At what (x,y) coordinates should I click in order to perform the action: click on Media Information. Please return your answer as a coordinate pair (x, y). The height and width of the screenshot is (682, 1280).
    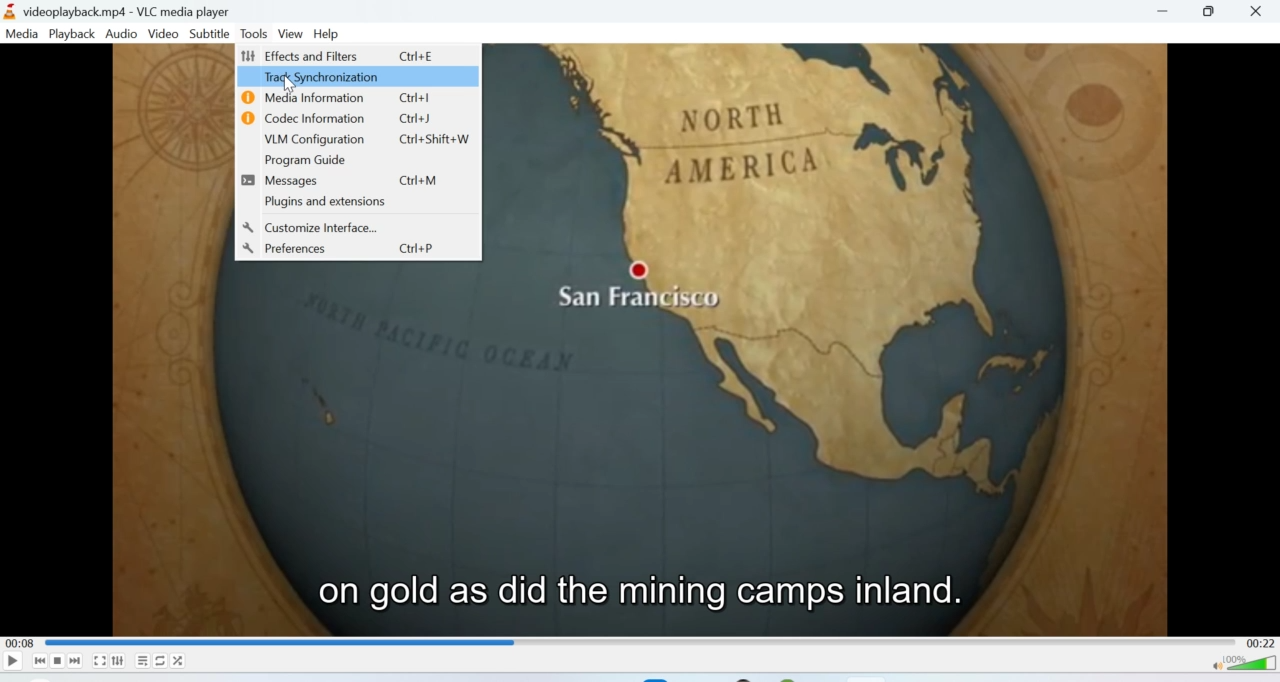
    Looking at the image, I should click on (310, 97).